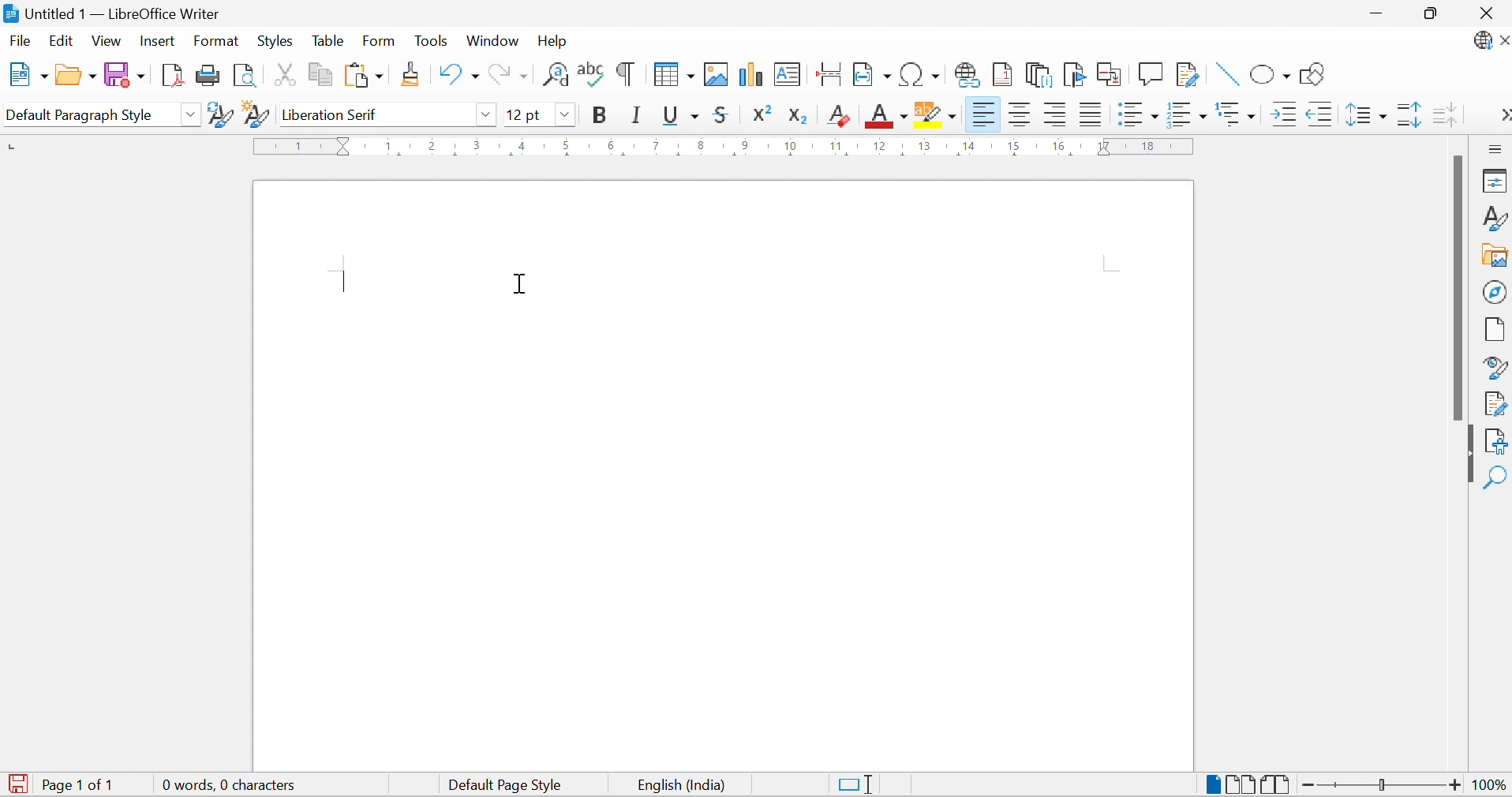 This screenshot has height=797, width=1512. Describe the element at coordinates (1313, 75) in the screenshot. I see `Show Draw Functions` at that location.